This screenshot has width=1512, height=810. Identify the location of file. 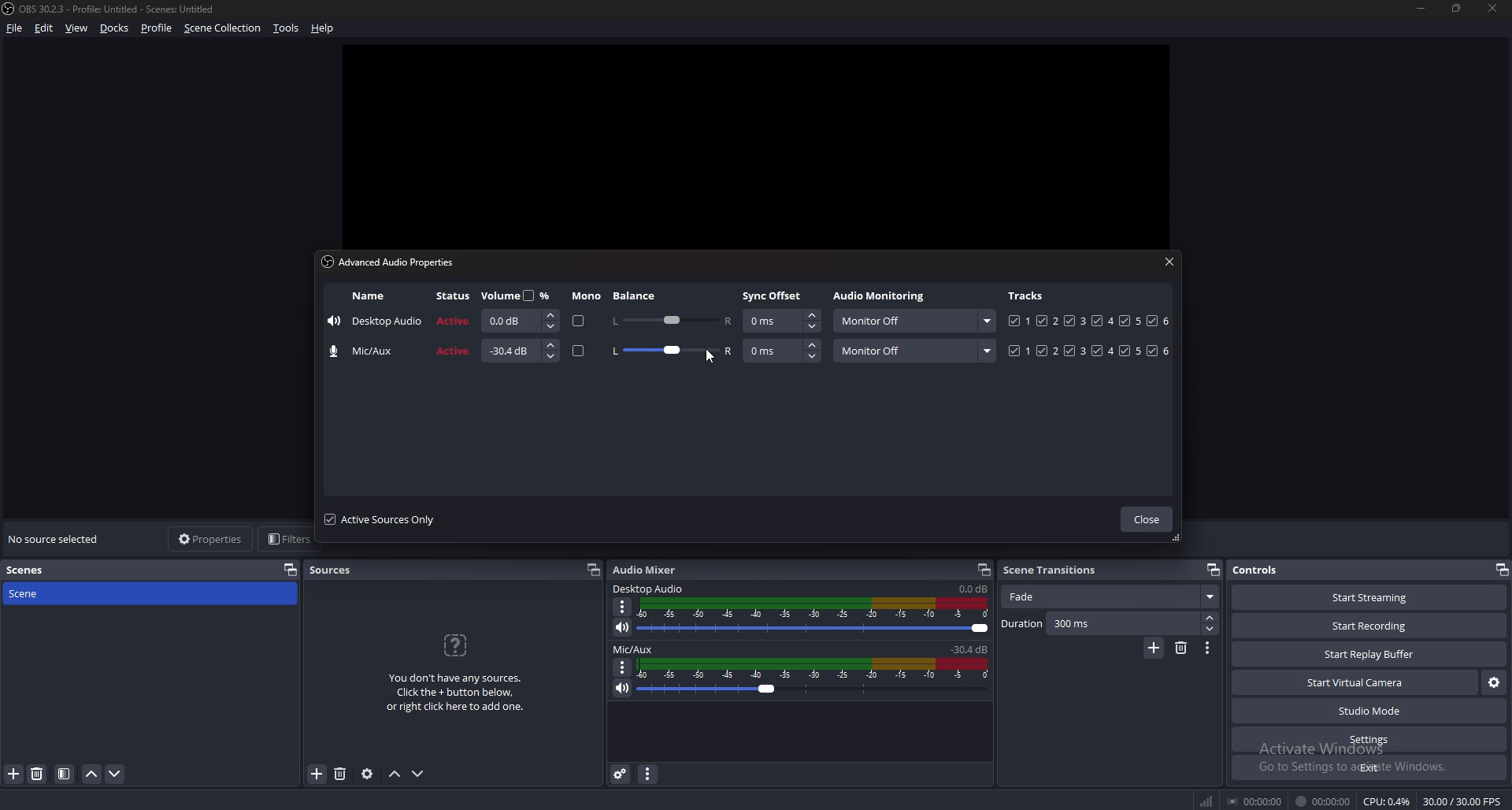
(17, 28).